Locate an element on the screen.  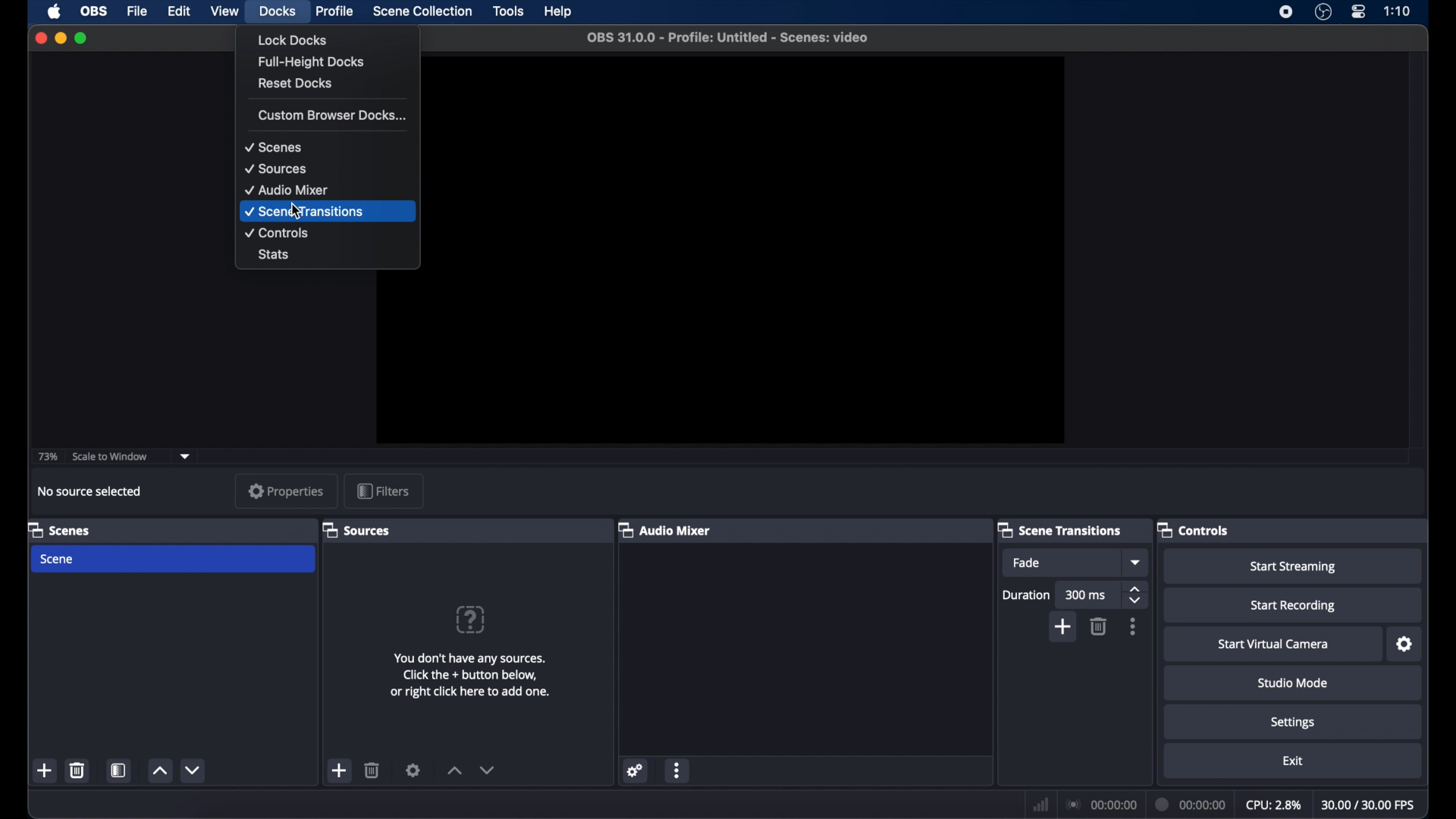
decrement is located at coordinates (194, 770).